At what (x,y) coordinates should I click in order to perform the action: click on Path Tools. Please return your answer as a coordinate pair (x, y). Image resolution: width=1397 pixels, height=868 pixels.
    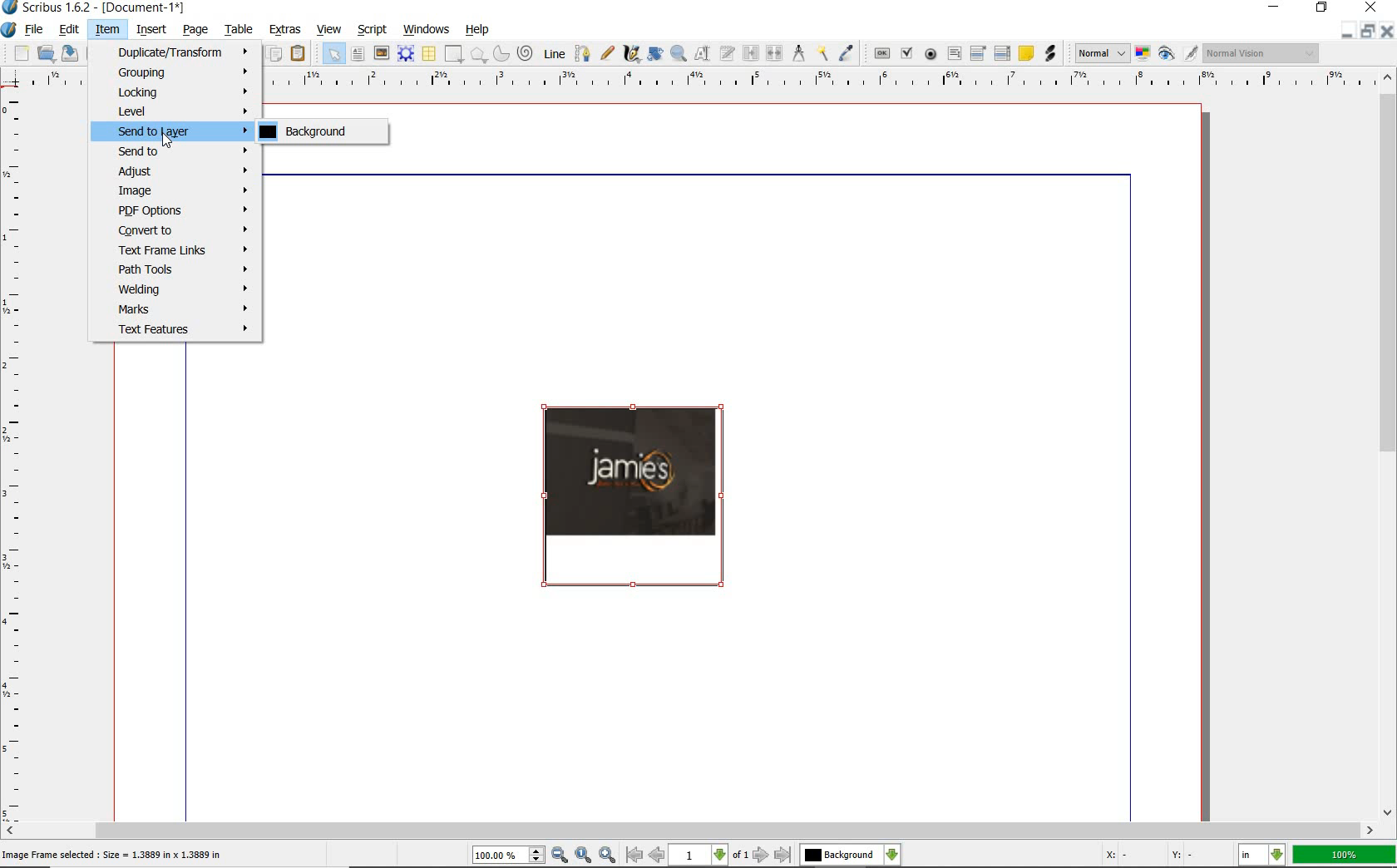
    Looking at the image, I should click on (178, 272).